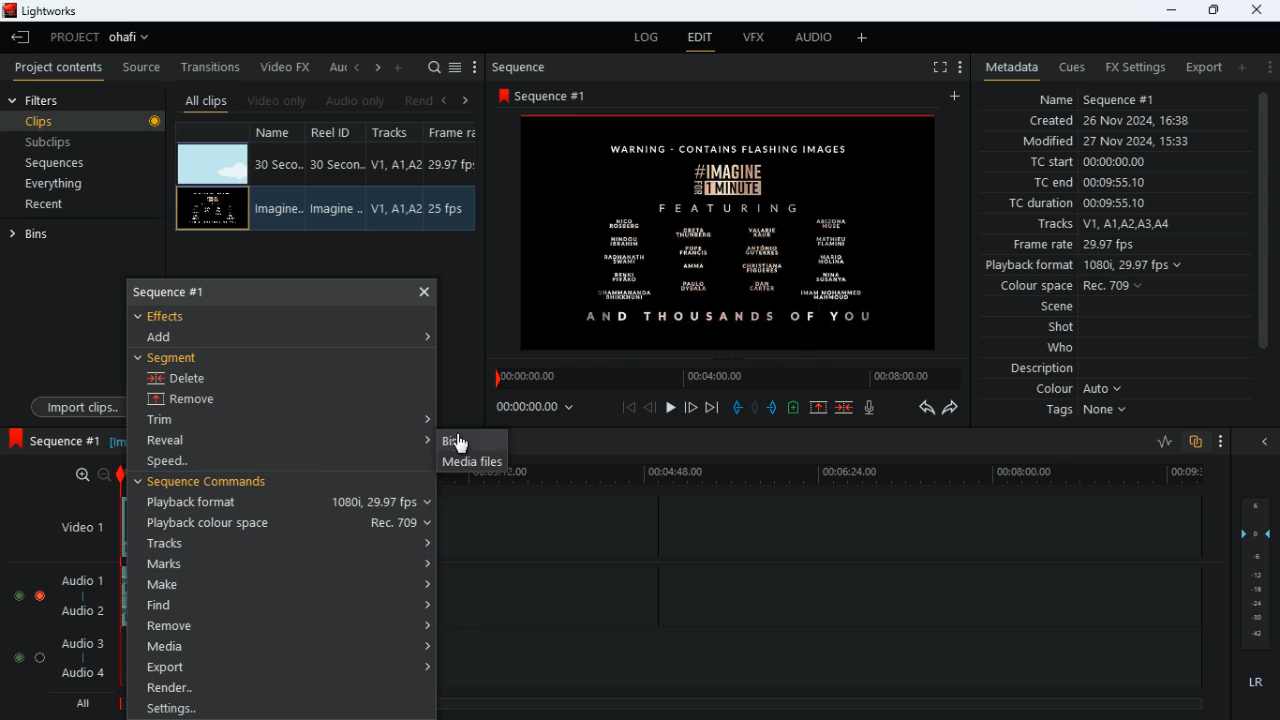 The height and width of the screenshot is (720, 1280). What do you see at coordinates (466, 100) in the screenshot?
I see `right` at bounding box center [466, 100].